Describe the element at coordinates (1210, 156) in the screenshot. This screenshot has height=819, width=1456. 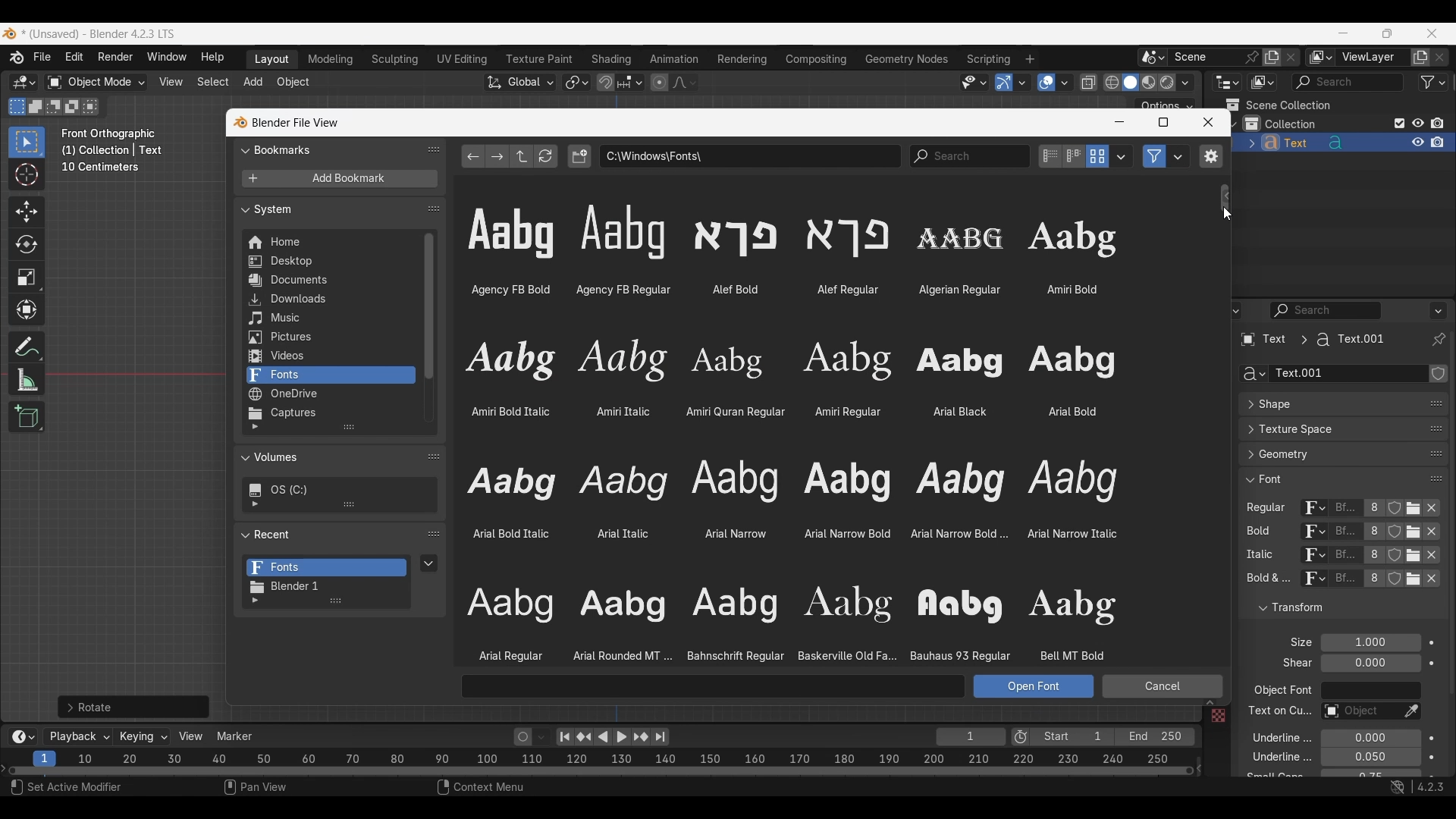
I see `Toggle region` at that location.